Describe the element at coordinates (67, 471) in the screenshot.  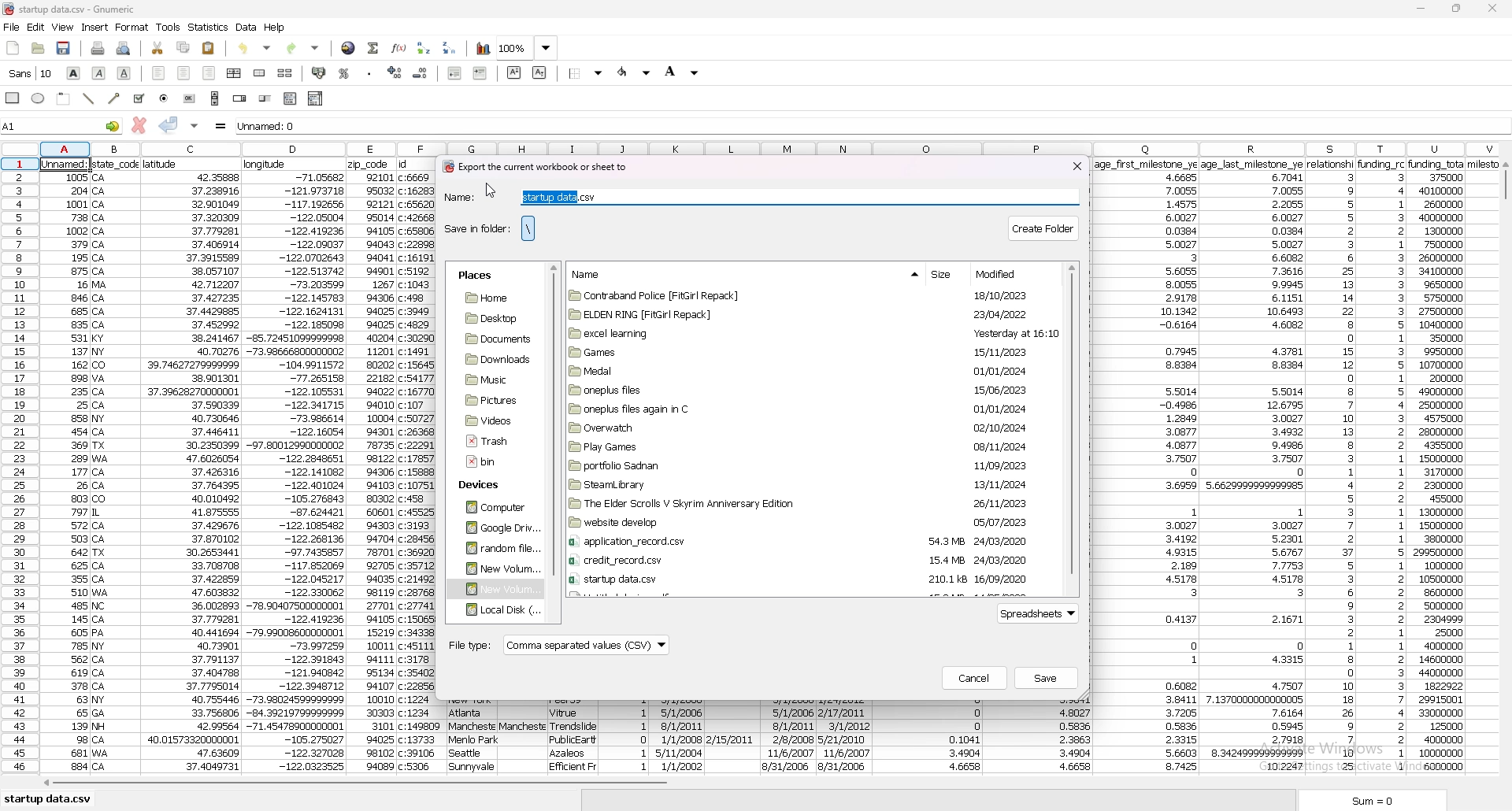
I see `data` at that location.